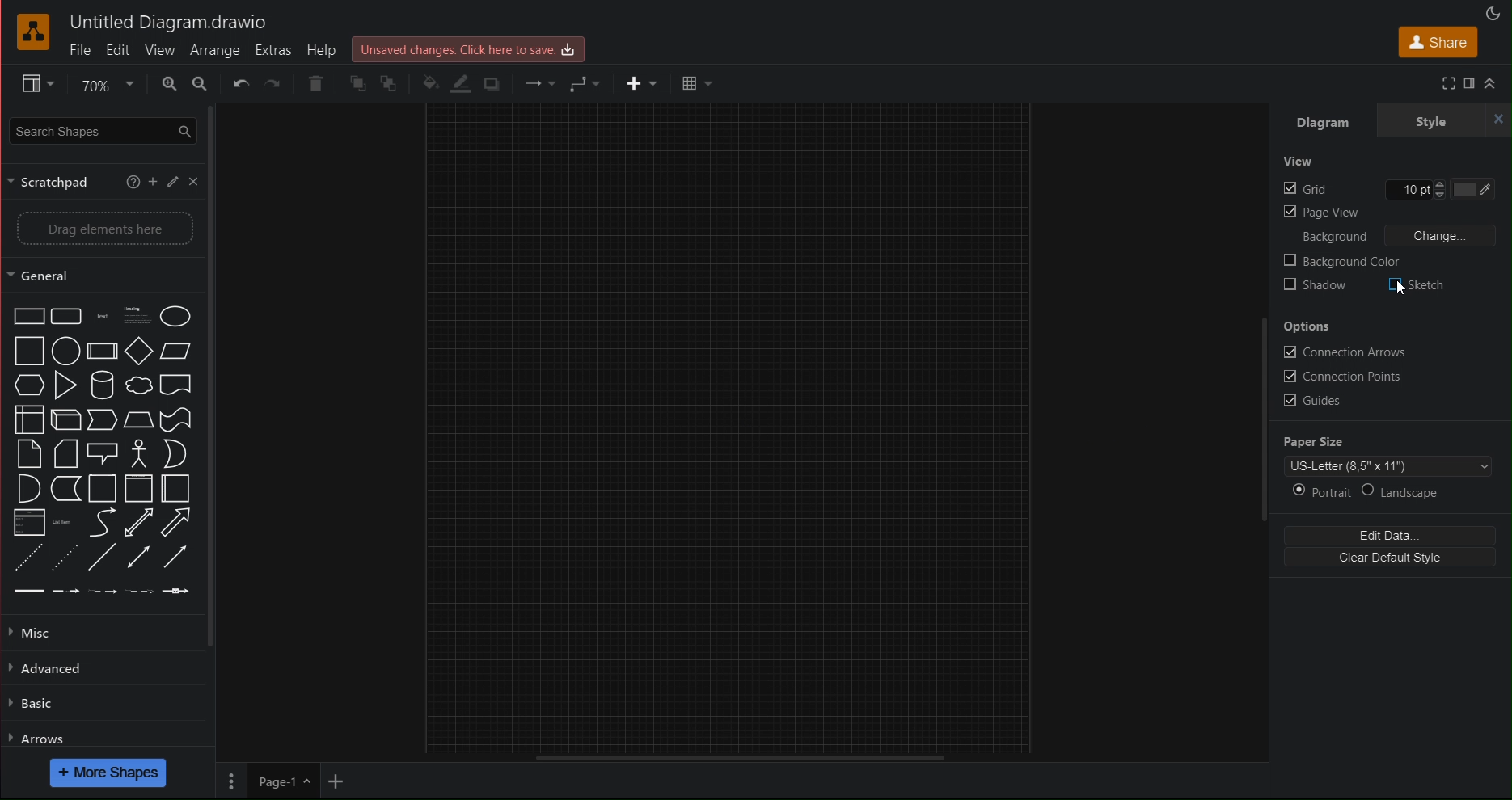 The height and width of the screenshot is (800, 1512). I want to click on Insert, so click(637, 82).